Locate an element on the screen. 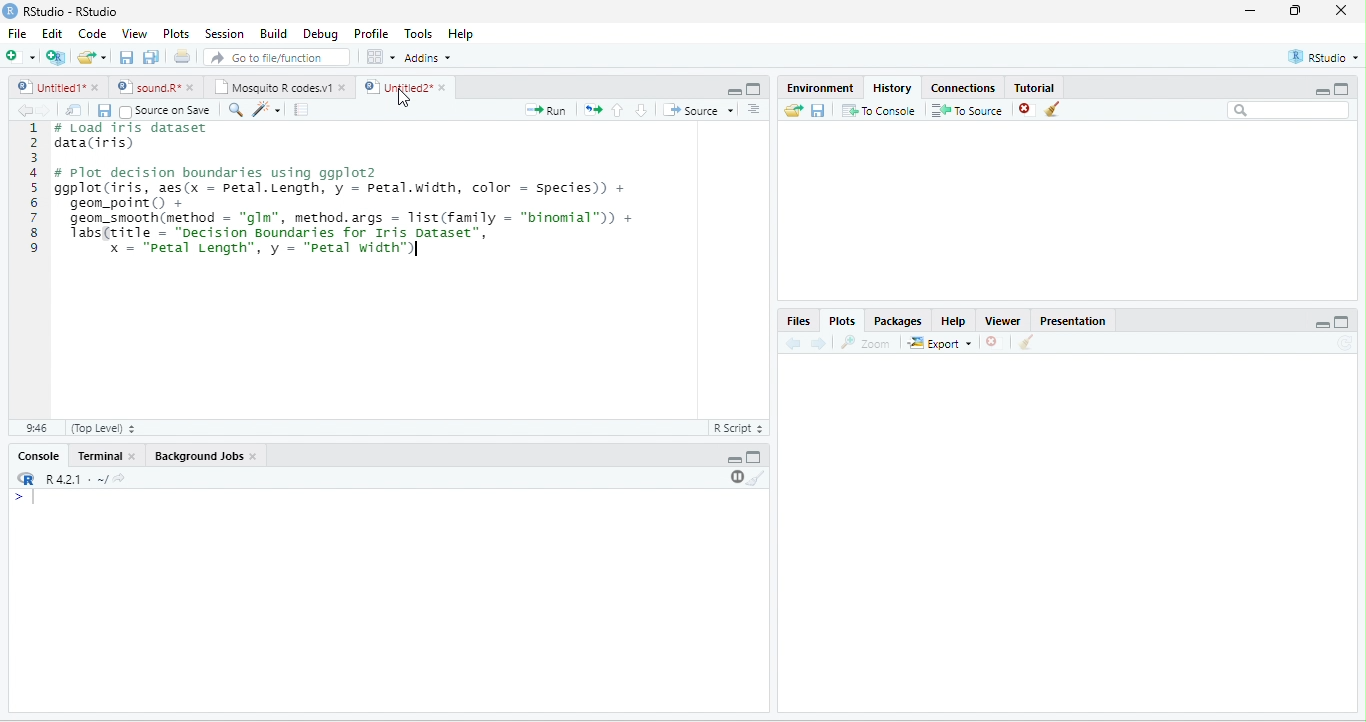 This screenshot has height=722, width=1366. maximize is located at coordinates (1342, 88).